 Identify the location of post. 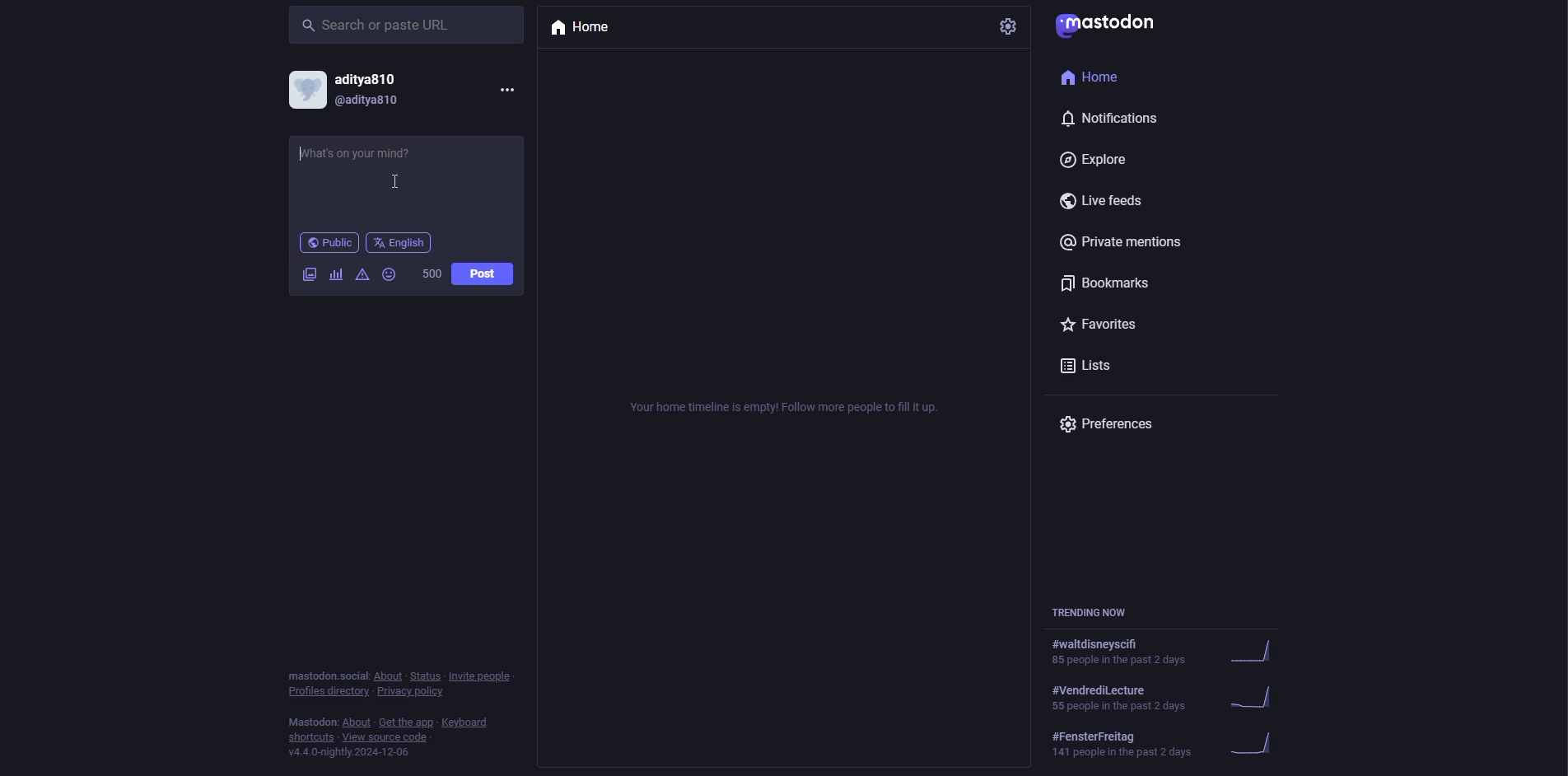
(482, 273).